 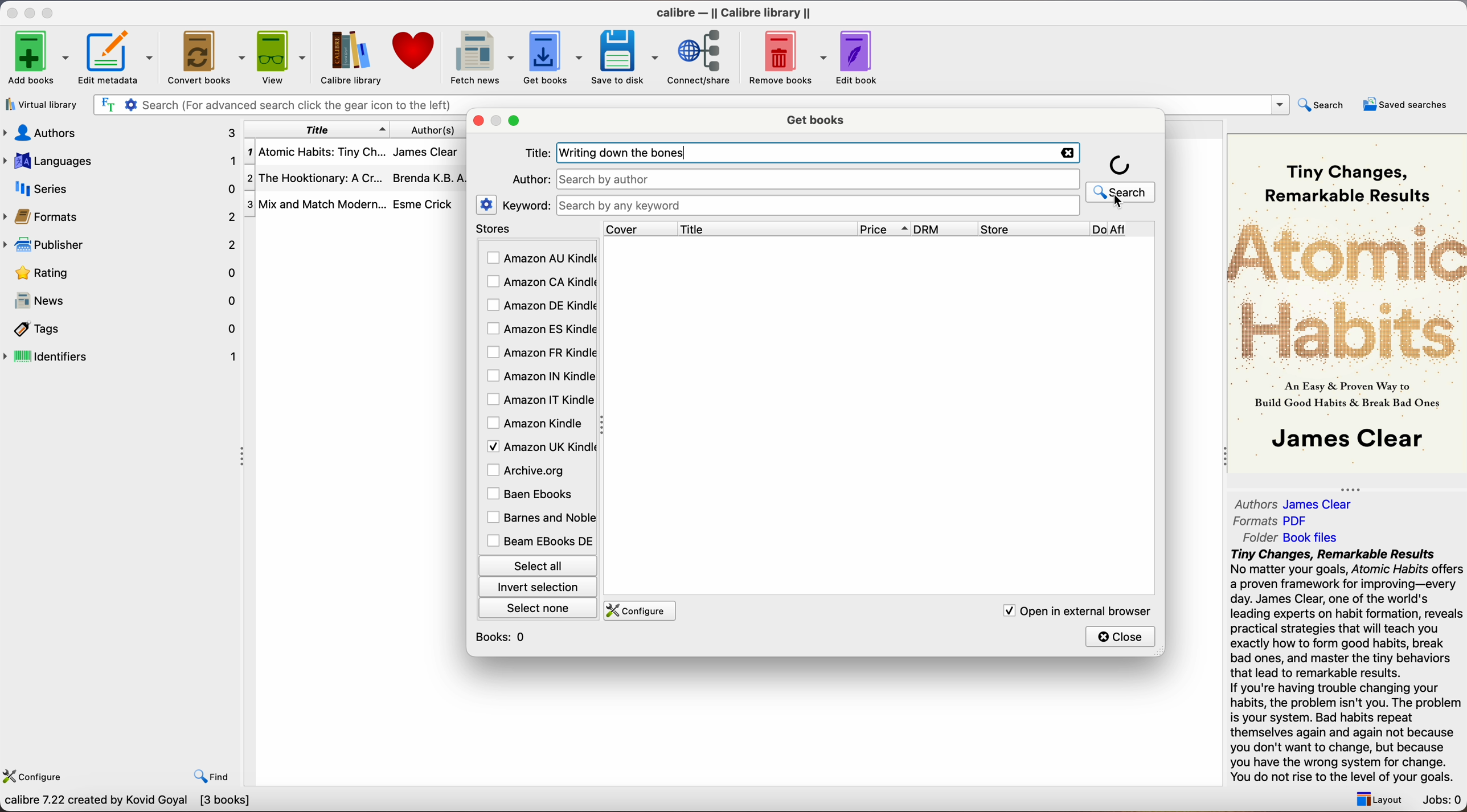 What do you see at coordinates (541, 259) in the screenshot?
I see `amazon AU Kindle` at bounding box center [541, 259].